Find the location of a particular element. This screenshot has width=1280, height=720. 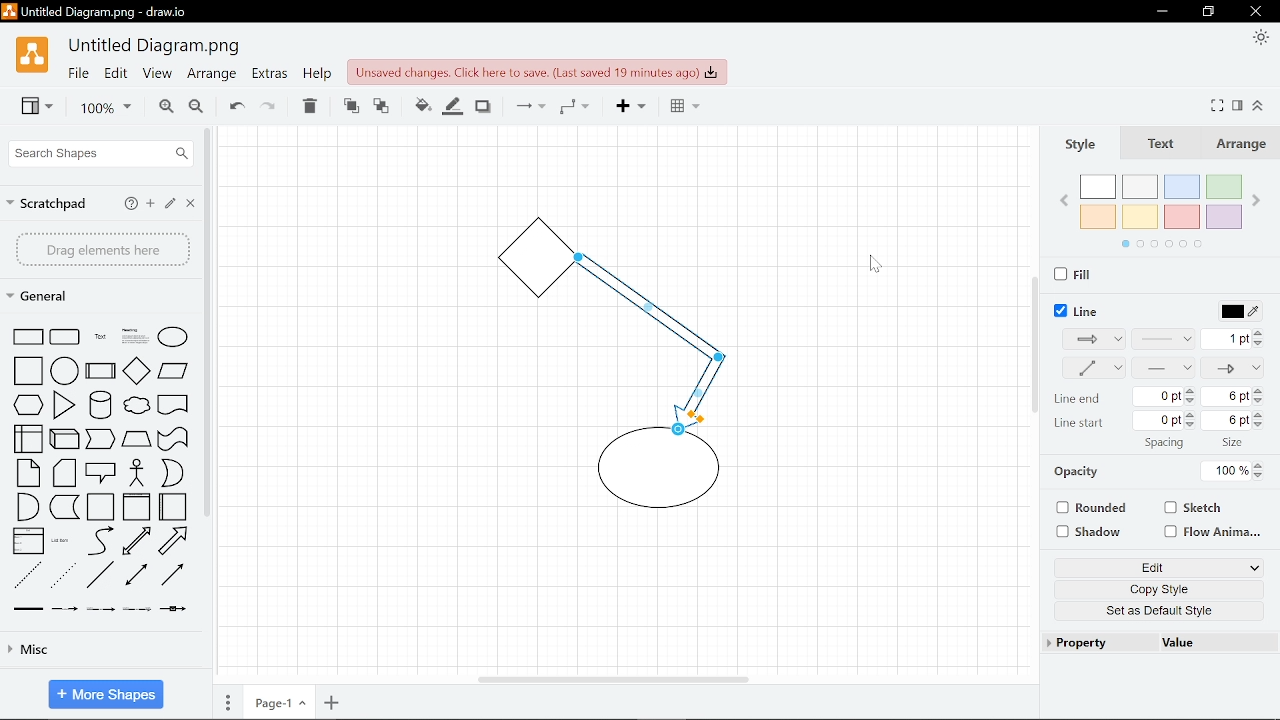

copy style is located at coordinates (1157, 587).